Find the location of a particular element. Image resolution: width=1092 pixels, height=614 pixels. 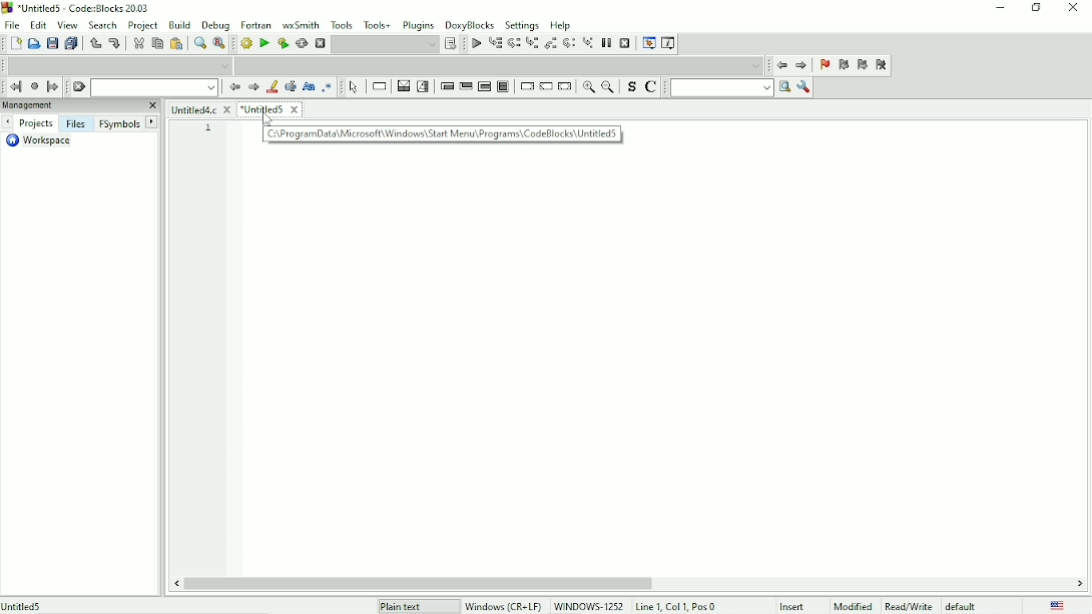

Various info is located at coordinates (668, 43).